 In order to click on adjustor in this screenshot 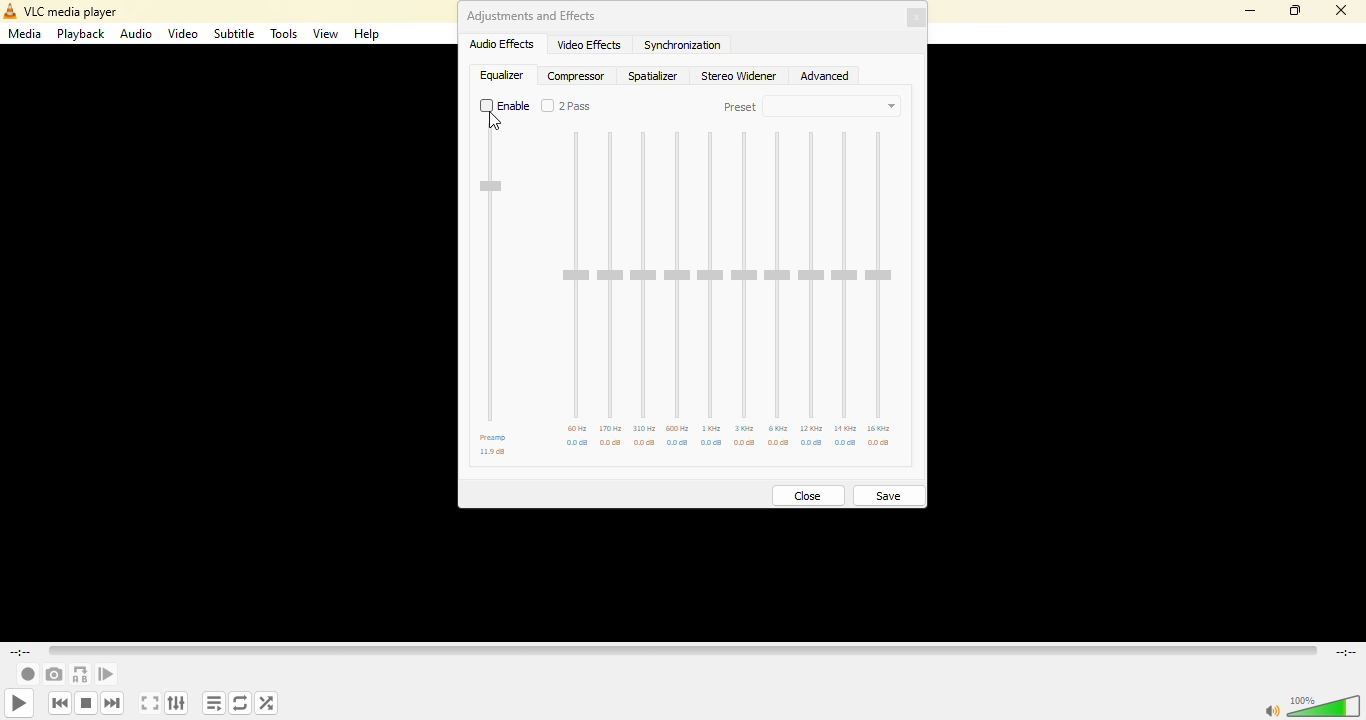, I will do `click(644, 275)`.